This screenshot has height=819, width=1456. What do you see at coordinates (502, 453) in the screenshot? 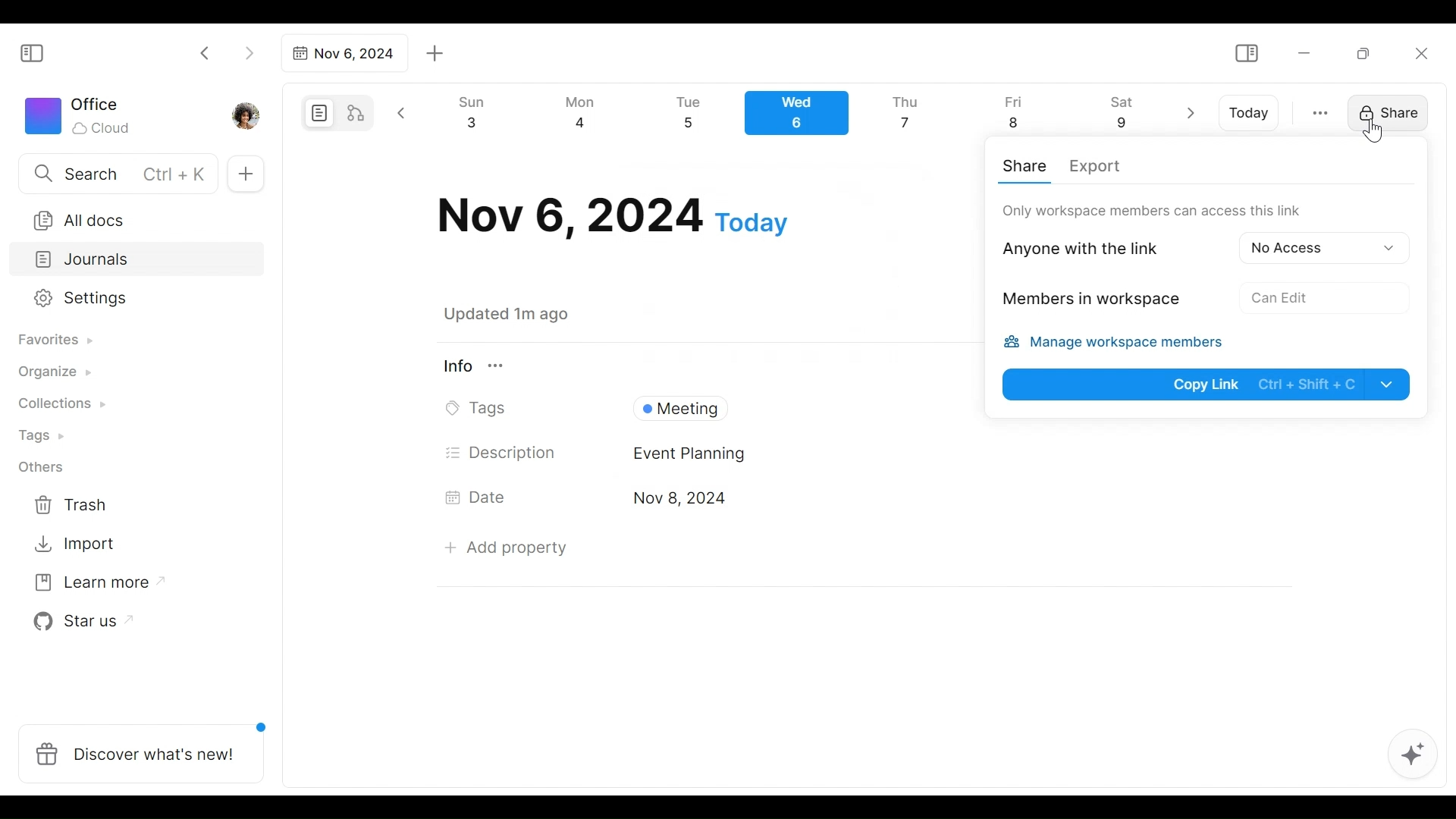
I see `Description` at bounding box center [502, 453].